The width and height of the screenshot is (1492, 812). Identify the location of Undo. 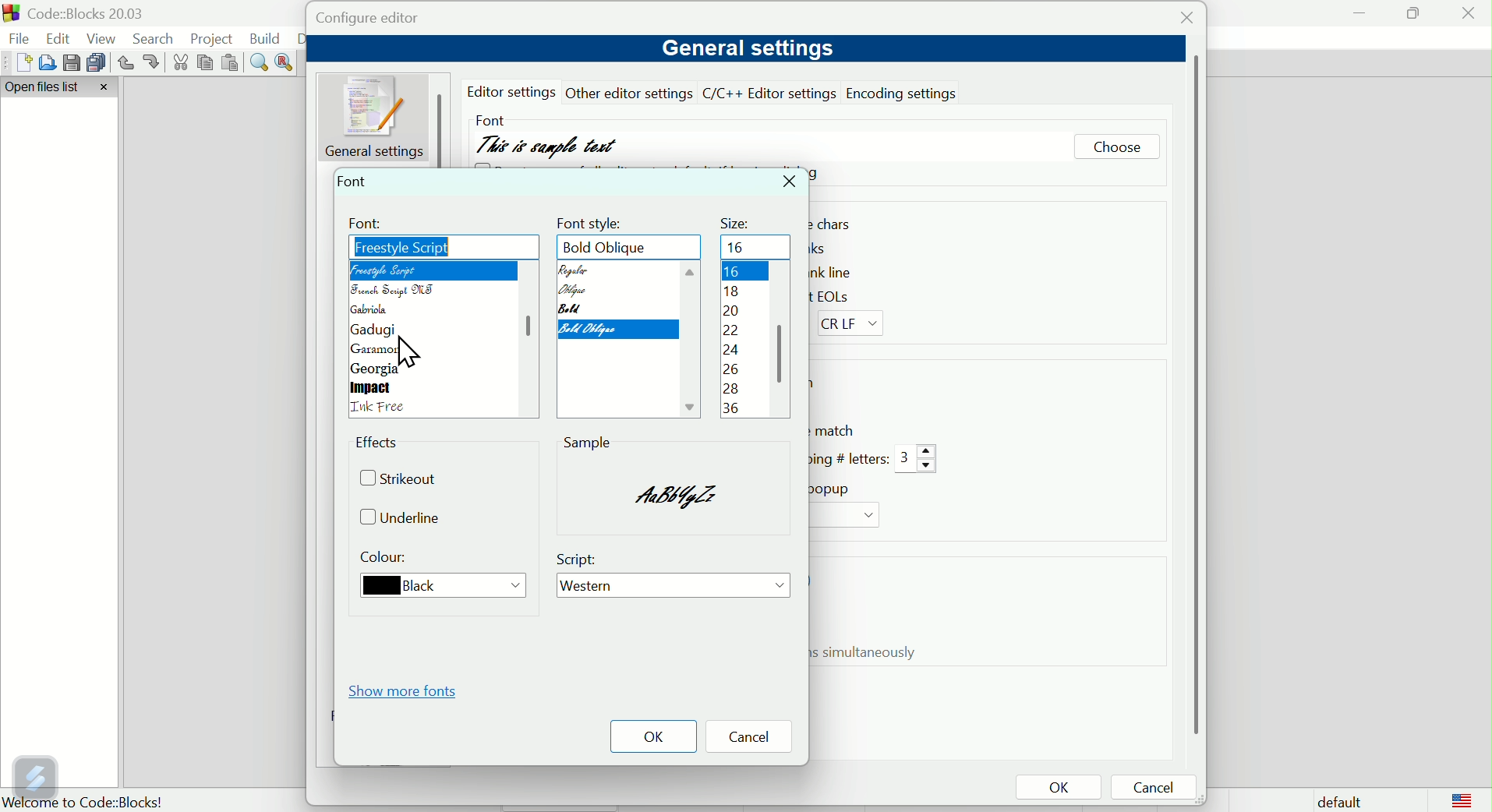
(125, 63).